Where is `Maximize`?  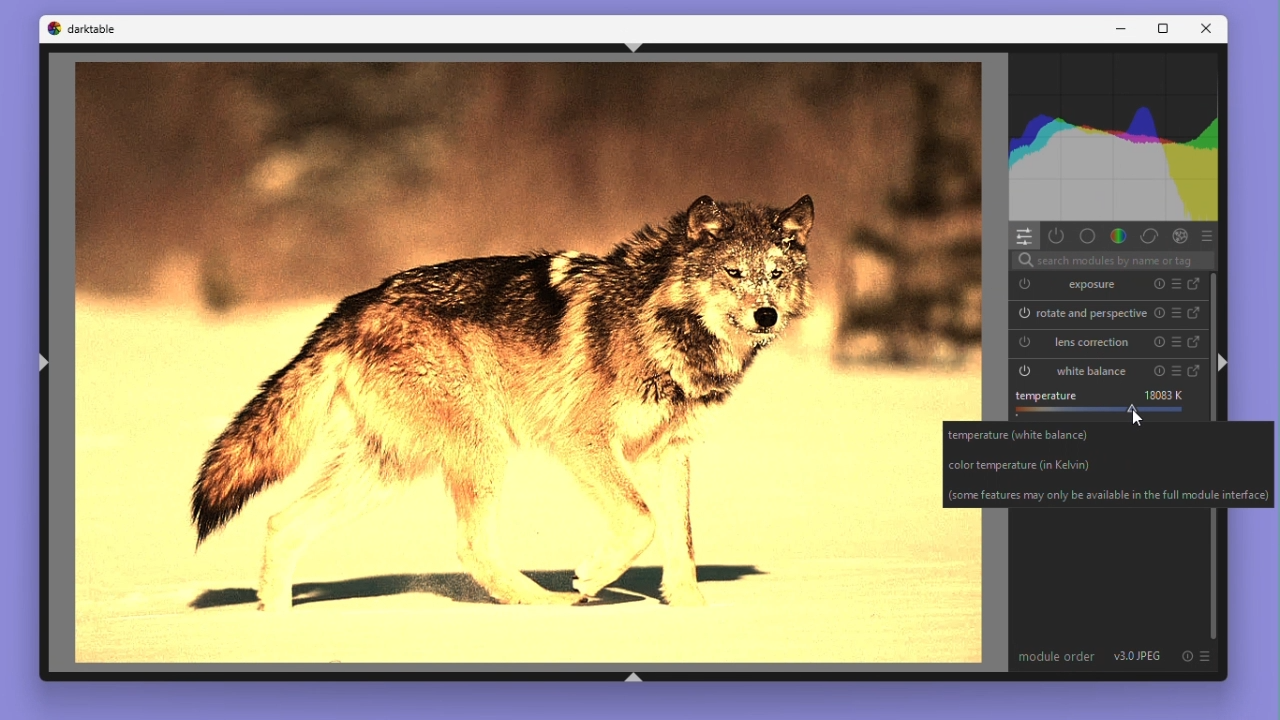
Maximize is located at coordinates (1163, 28).